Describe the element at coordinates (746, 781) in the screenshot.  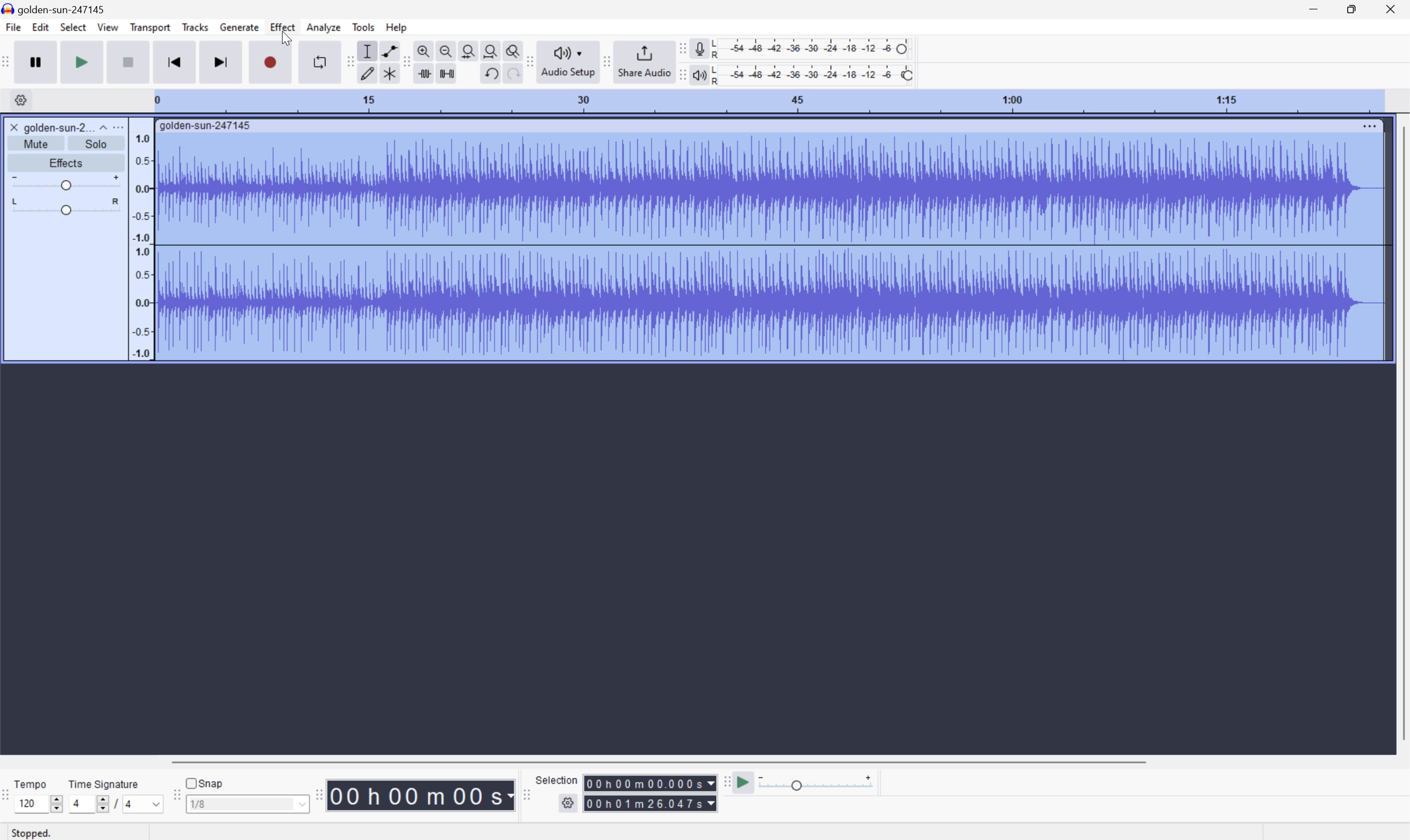
I see `Play at speed` at that location.